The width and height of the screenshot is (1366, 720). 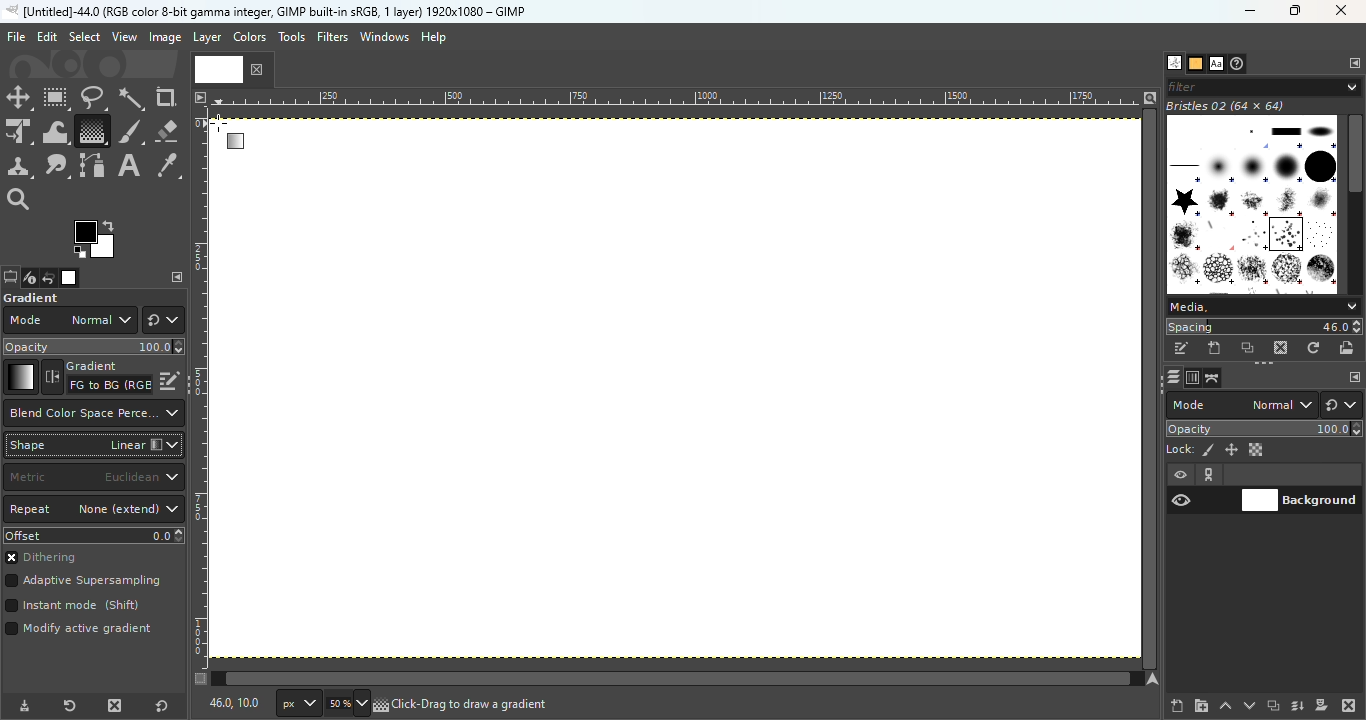 I want to click on Image Box, so click(x=1252, y=197).